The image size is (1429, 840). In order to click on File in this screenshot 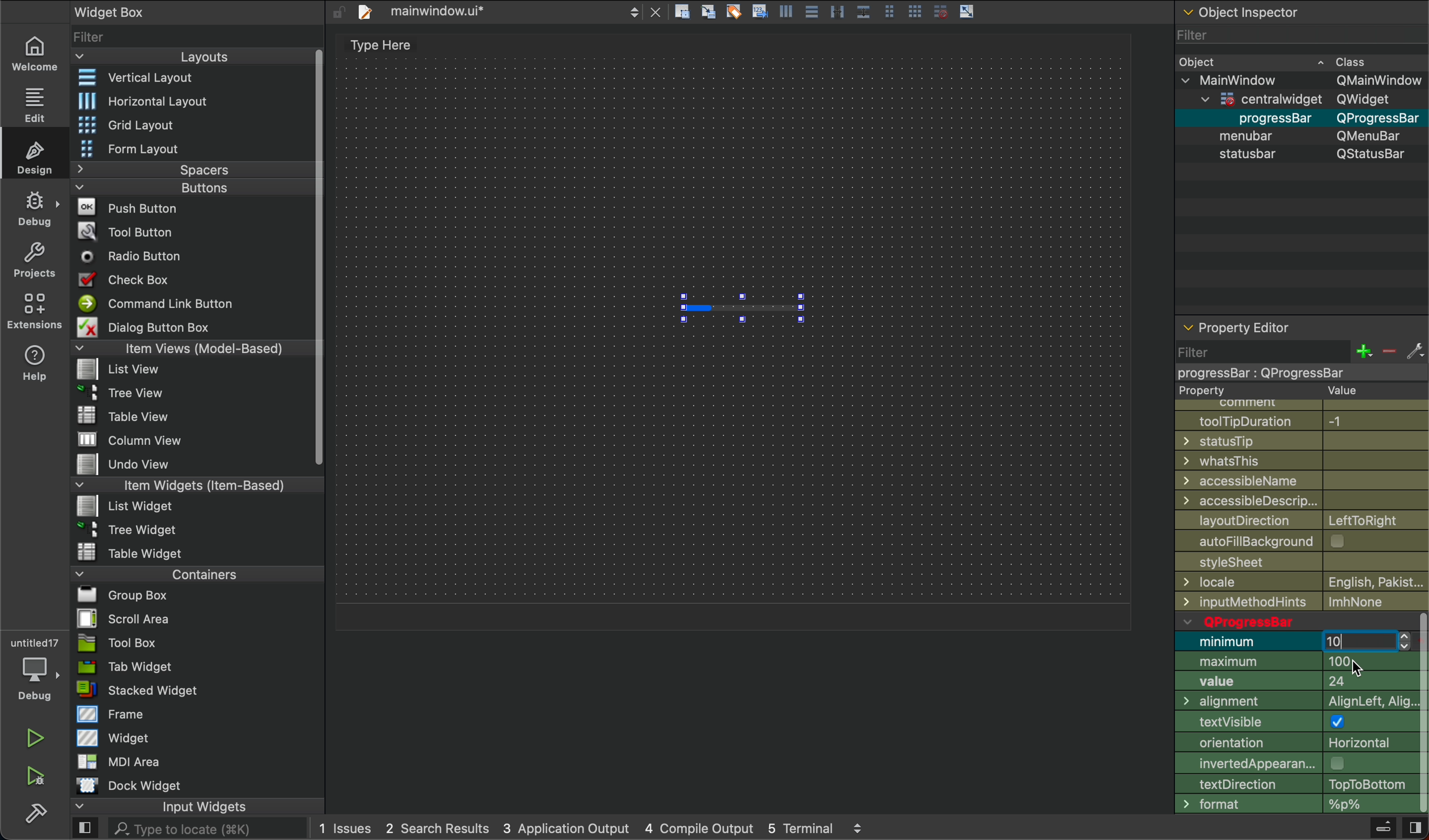, I will do `click(118, 618)`.